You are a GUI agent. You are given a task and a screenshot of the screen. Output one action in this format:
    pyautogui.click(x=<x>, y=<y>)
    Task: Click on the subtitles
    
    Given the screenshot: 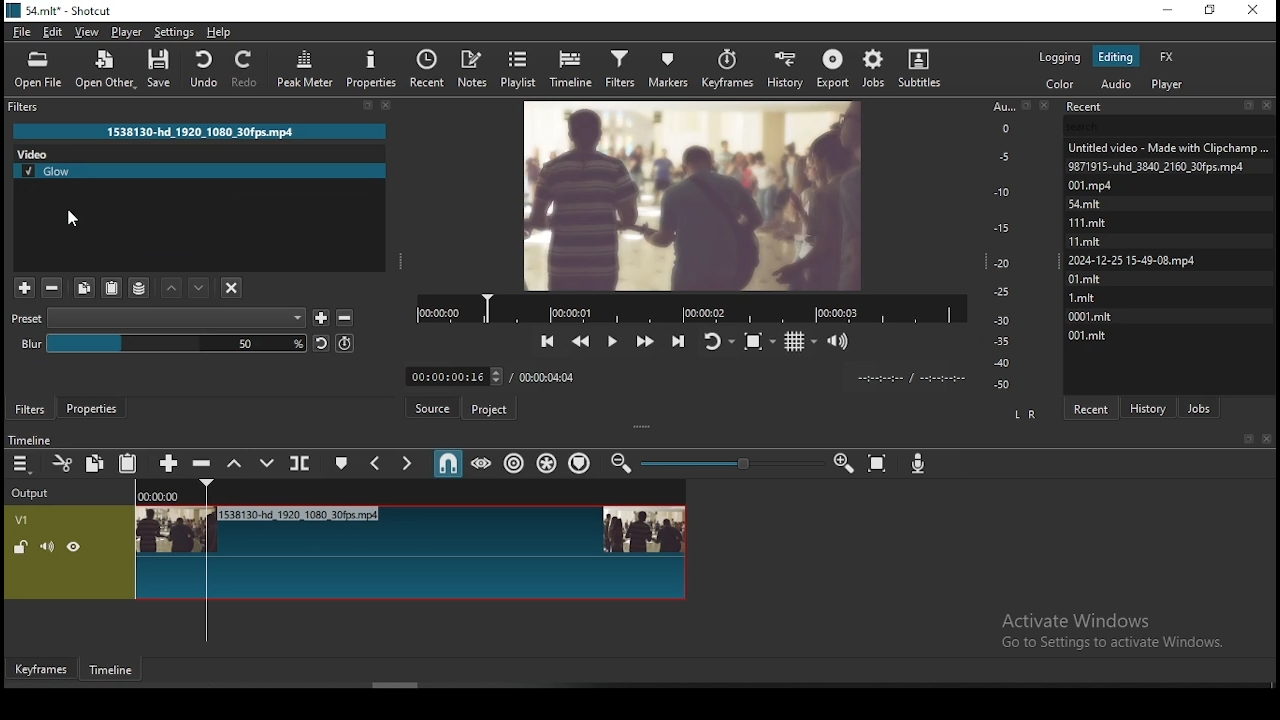 What is the action you would take?
    pyautogui.click(x=924, y=67)
    